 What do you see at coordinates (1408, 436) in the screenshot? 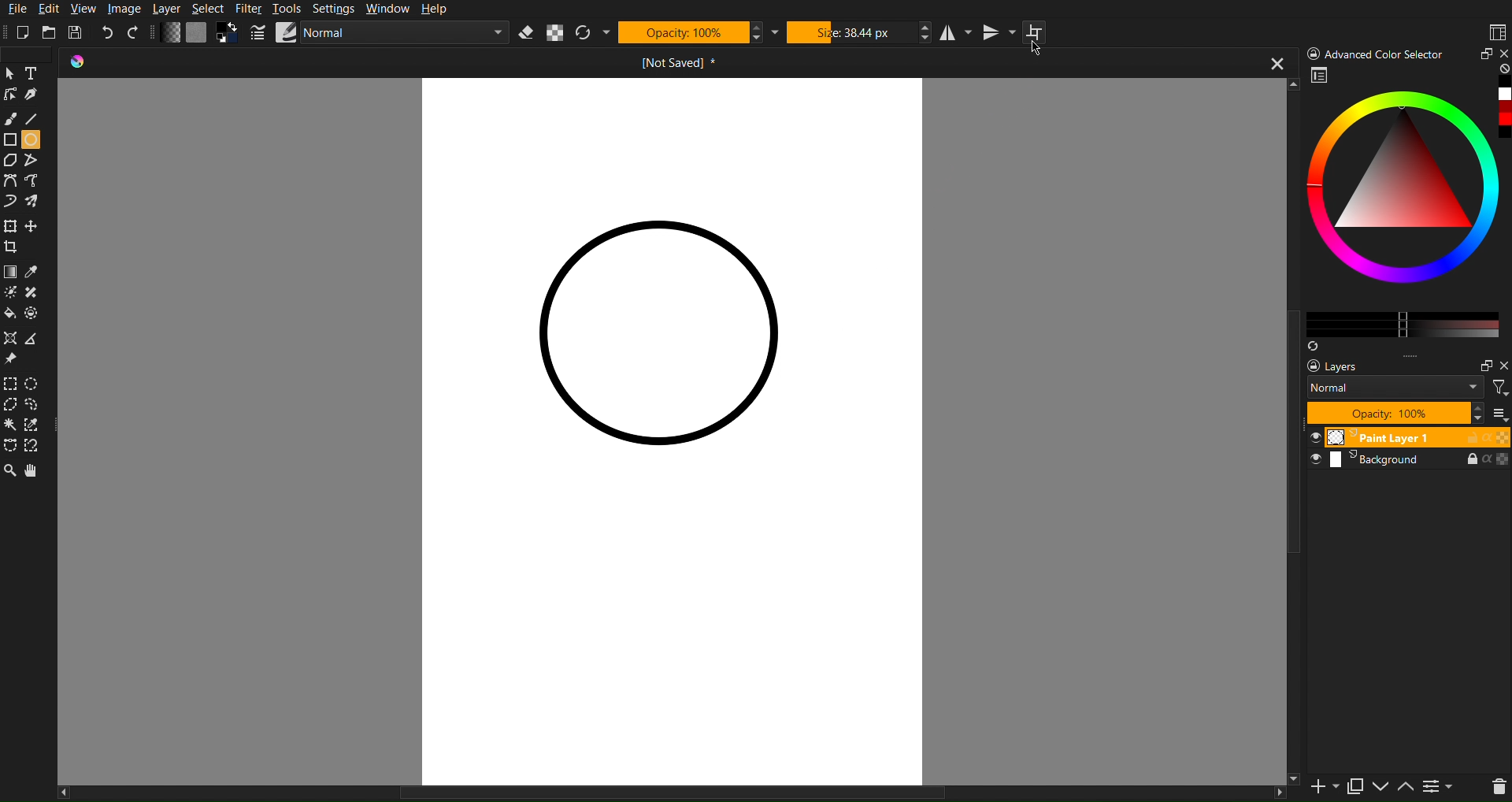
I see `Paint Layer 1` at bounding box center [1408, 436].